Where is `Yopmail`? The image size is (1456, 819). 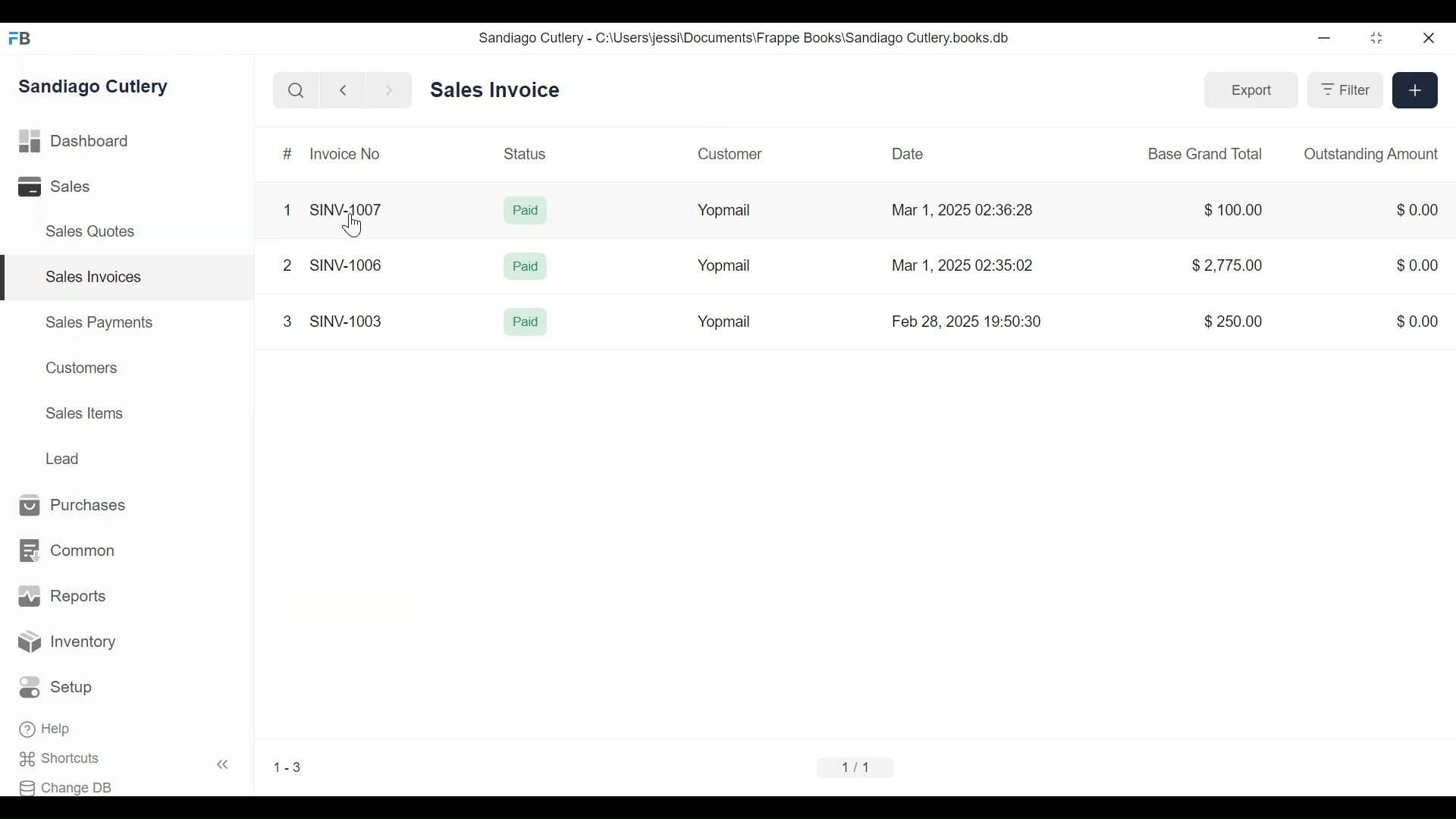 Yopmail is located at coordinates (723, 322).